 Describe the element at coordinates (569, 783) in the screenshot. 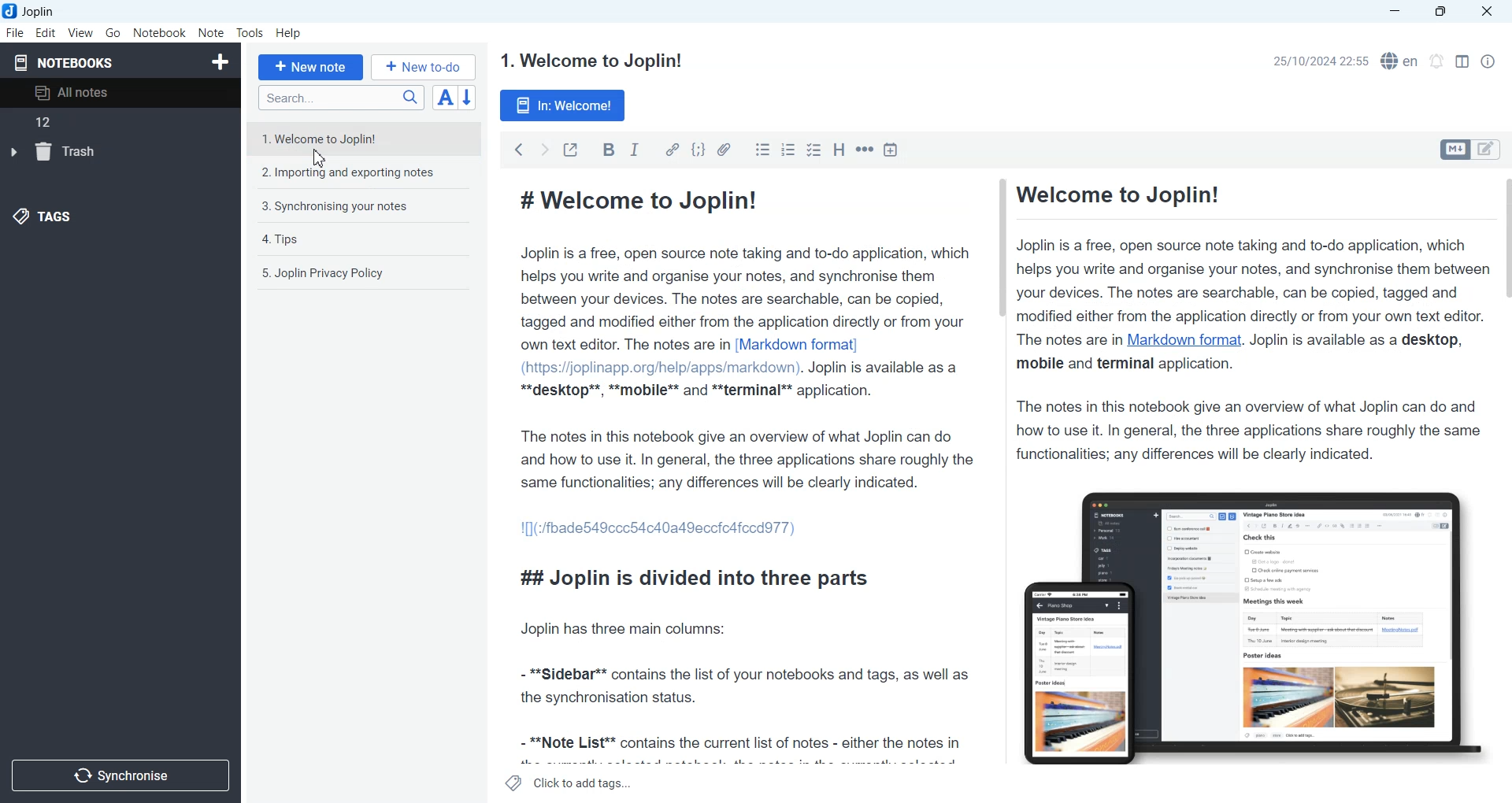

I see `Click to add tags` at that location.